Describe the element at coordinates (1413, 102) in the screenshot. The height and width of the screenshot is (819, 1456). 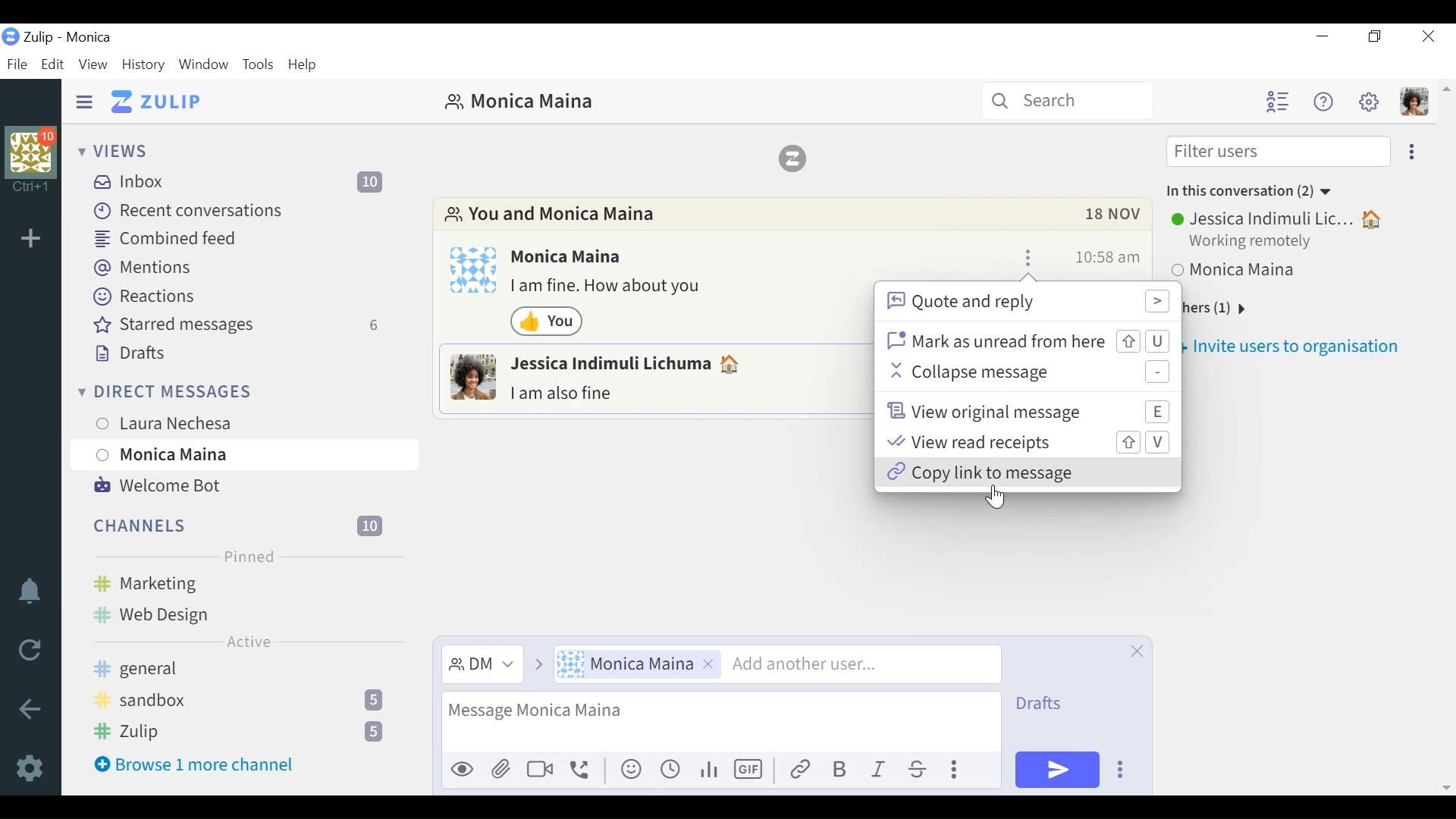
I see `Personal menu` at that location.